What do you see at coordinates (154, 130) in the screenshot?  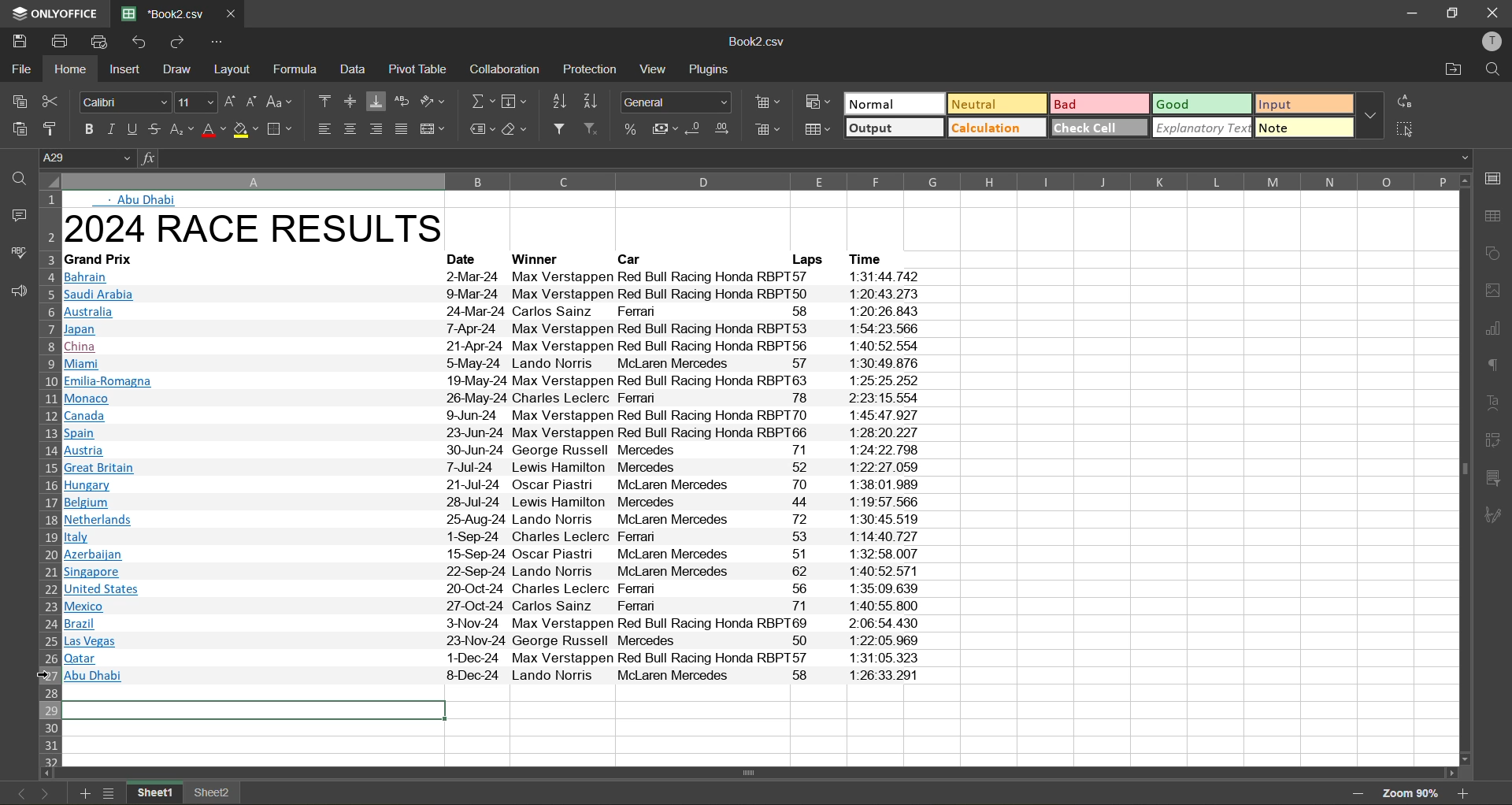 I see `strikethrough` at bounding box center [154, 130].